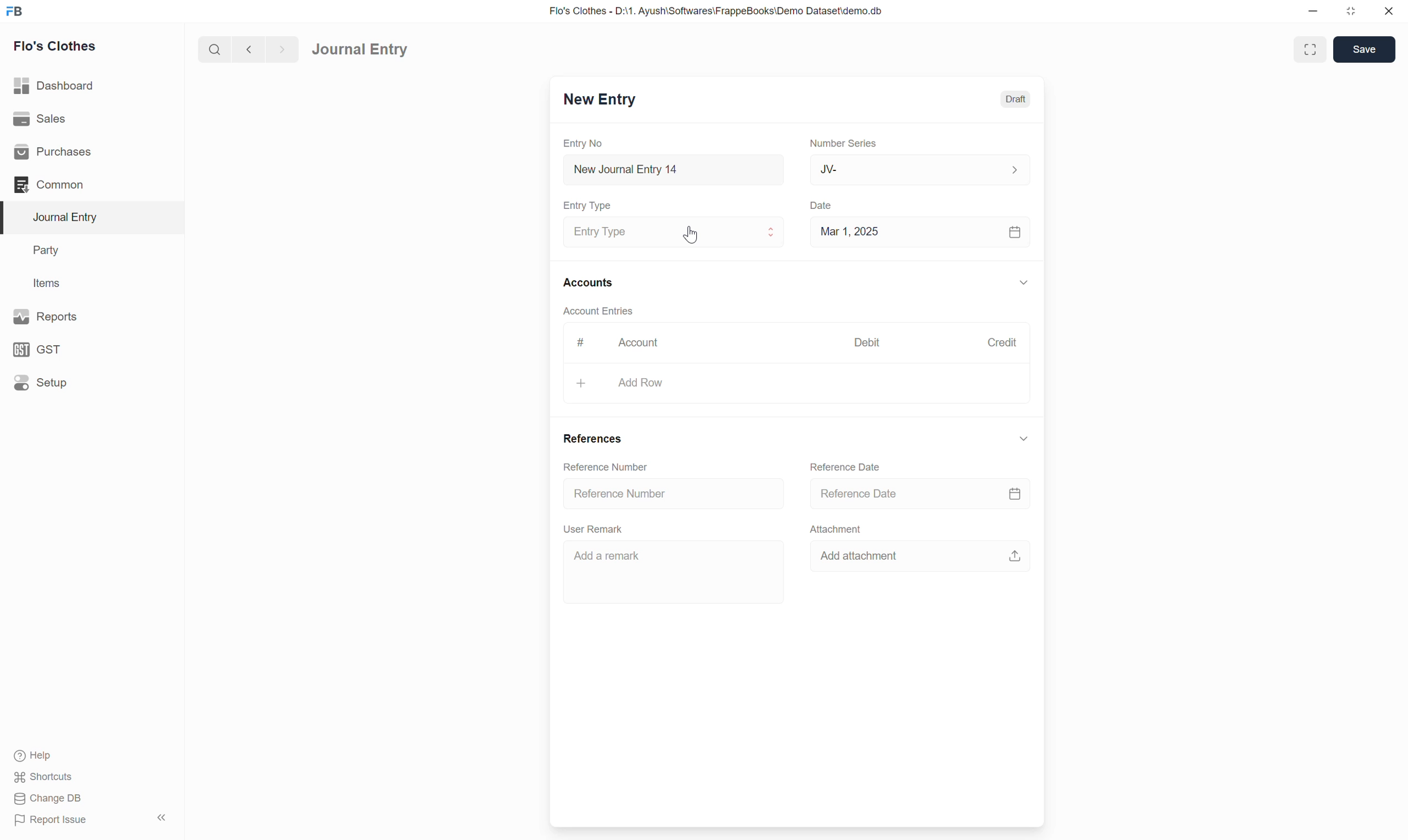 The height and width of the screenshot is (840, 1408). I want to click on Number Series, so click(844, 142).